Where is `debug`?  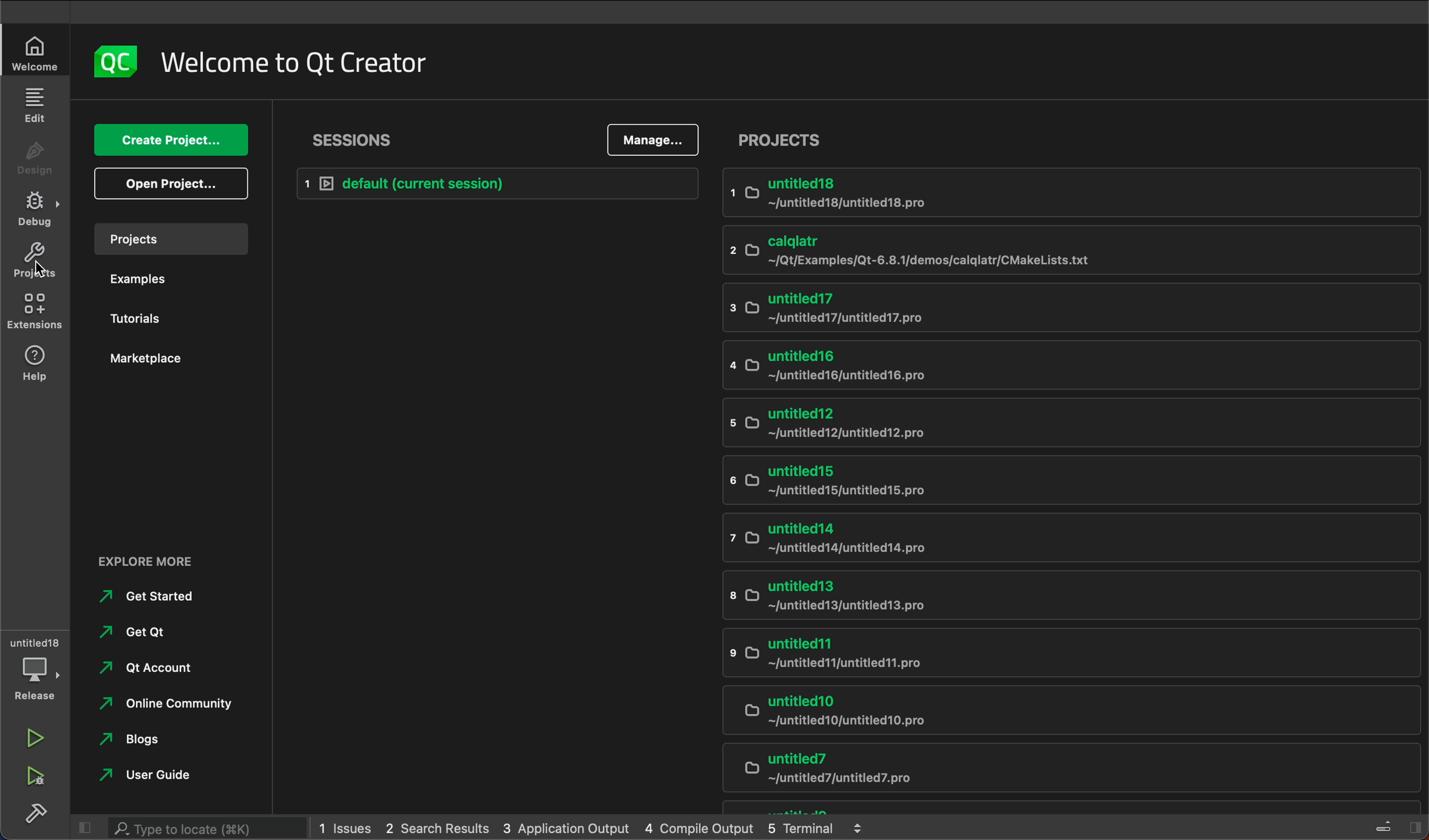
debug is located at coordinates (35, 667).